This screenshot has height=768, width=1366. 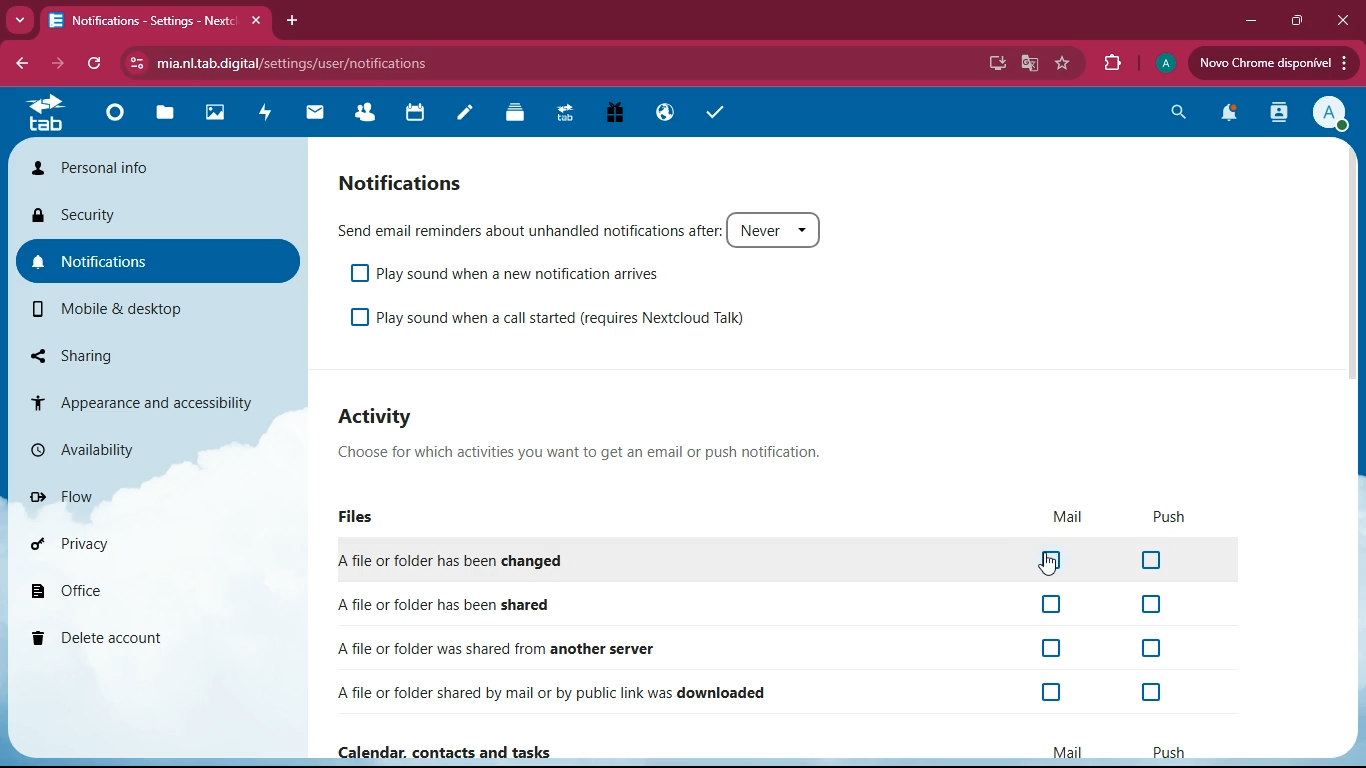 I want to click on google translate, so click(x=1032, y=63).